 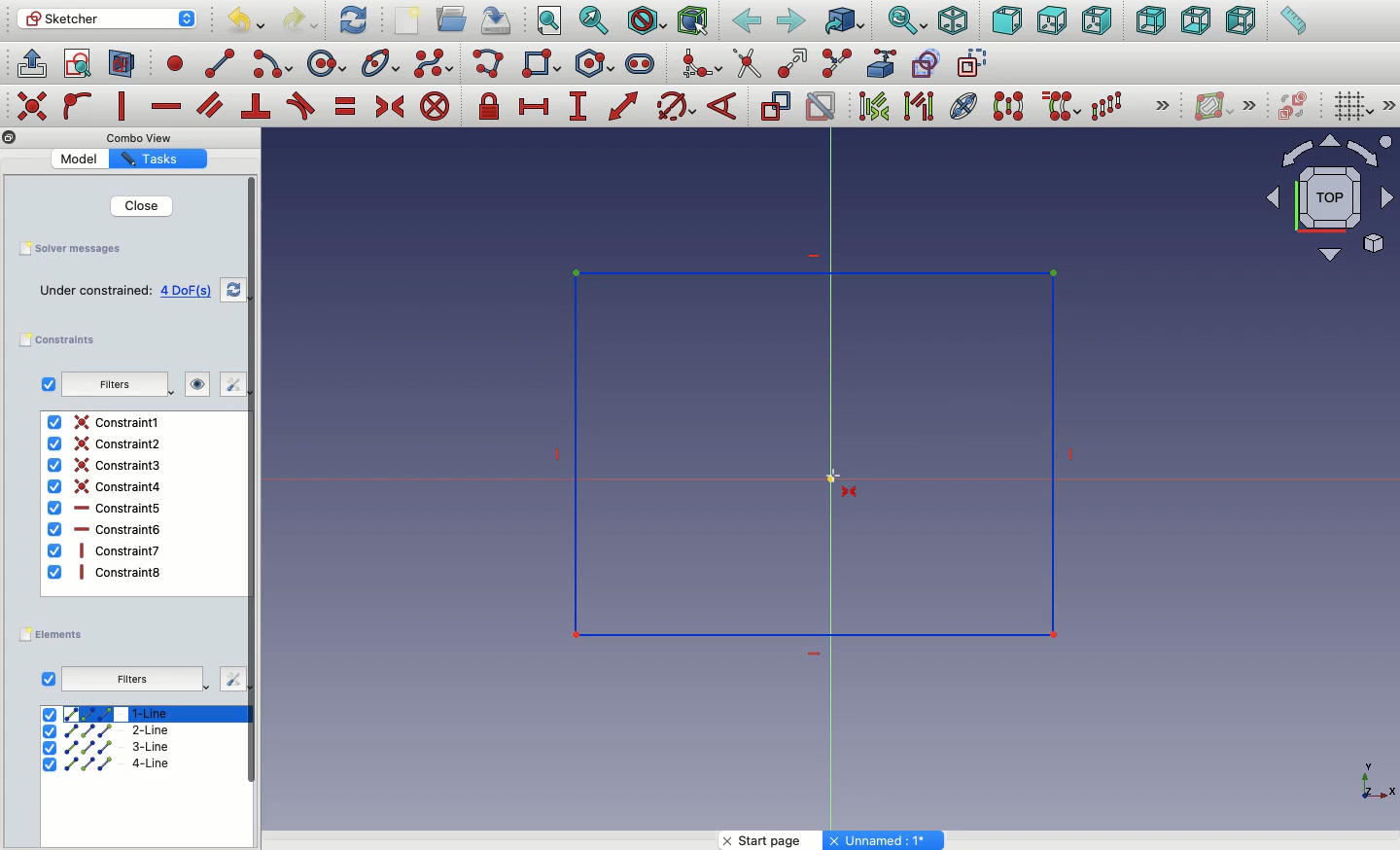 I want to click on constrain tangent, so click(x=301, y=106).